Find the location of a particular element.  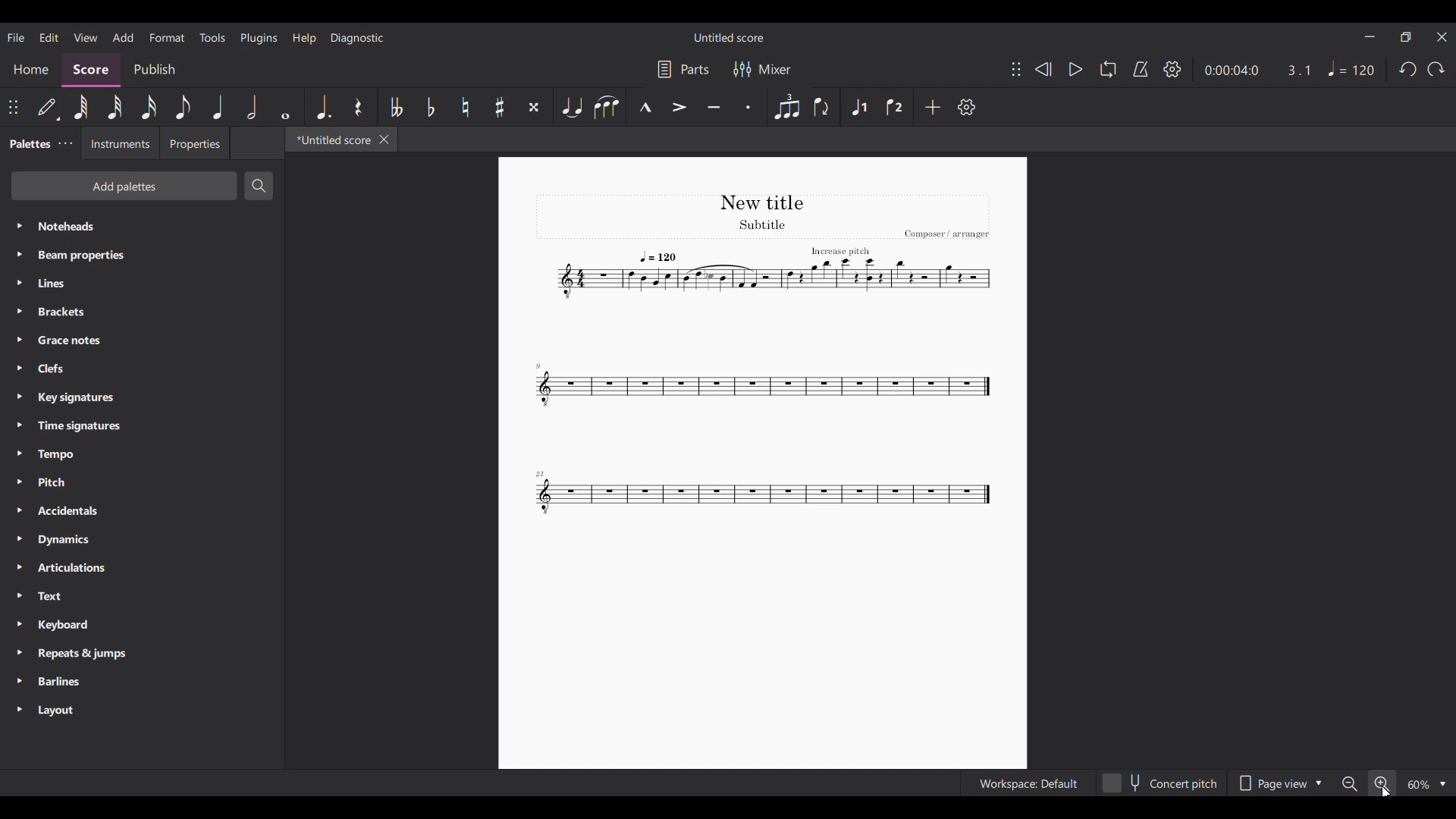

Redo is located at coordinates (1436, 69).